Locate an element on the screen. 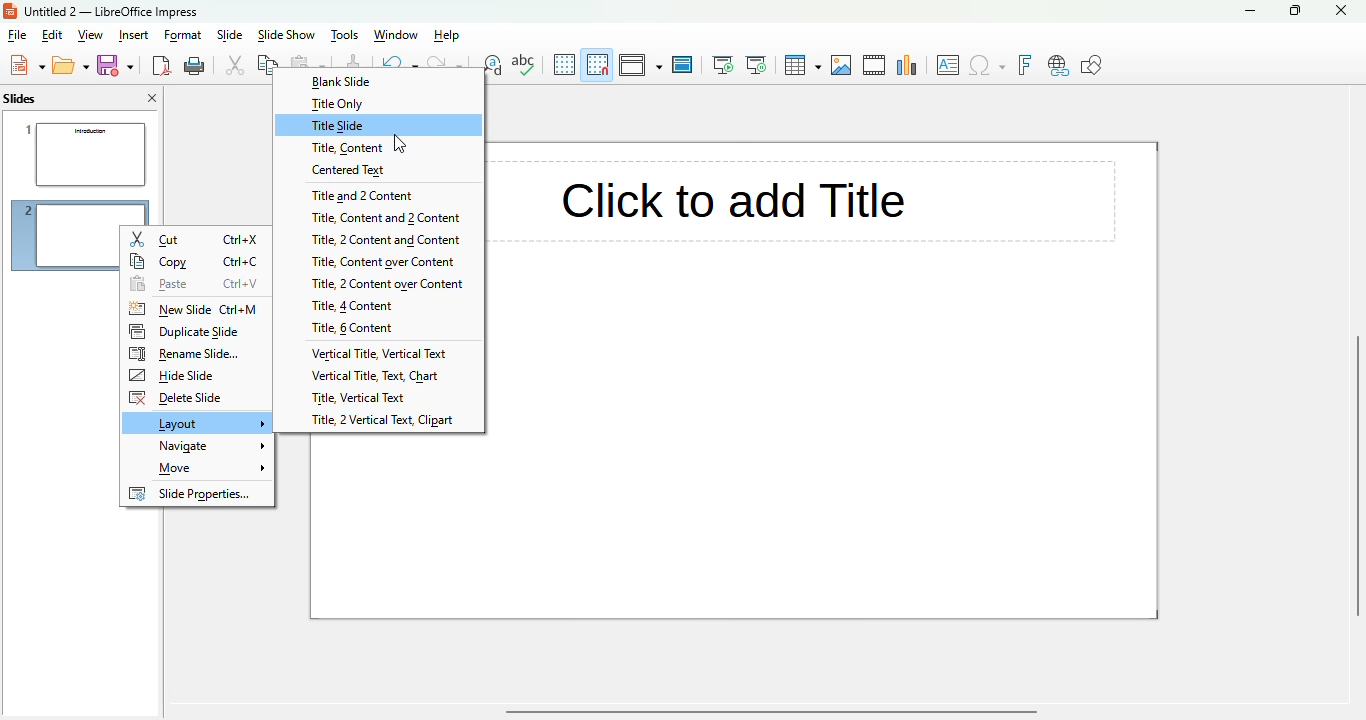  minimize is located at coordinates (1252, 10).